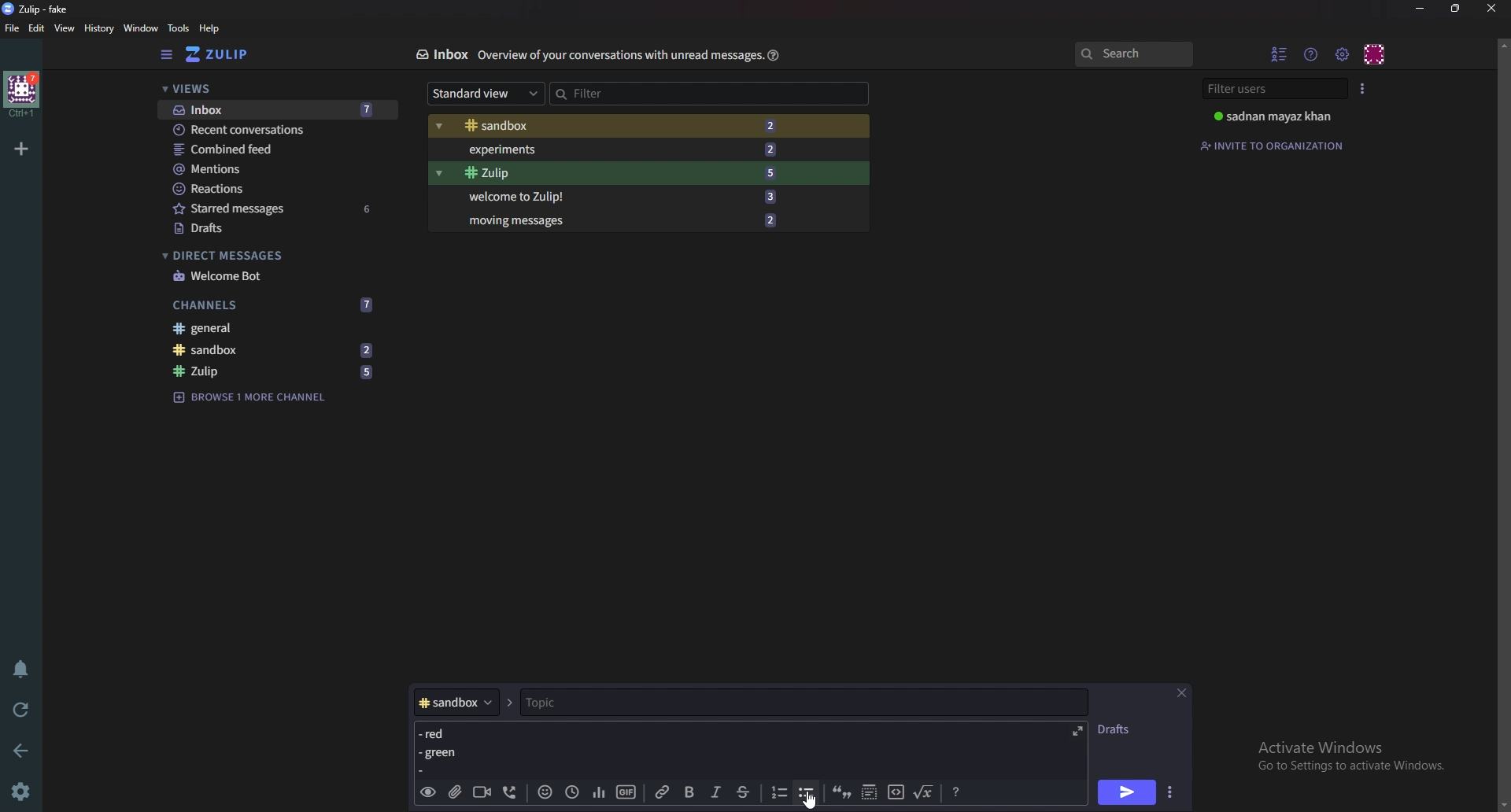 Image resolution: width=1511 pixels, height=812 pixels. I want to click on Italic, so click(716, 792).